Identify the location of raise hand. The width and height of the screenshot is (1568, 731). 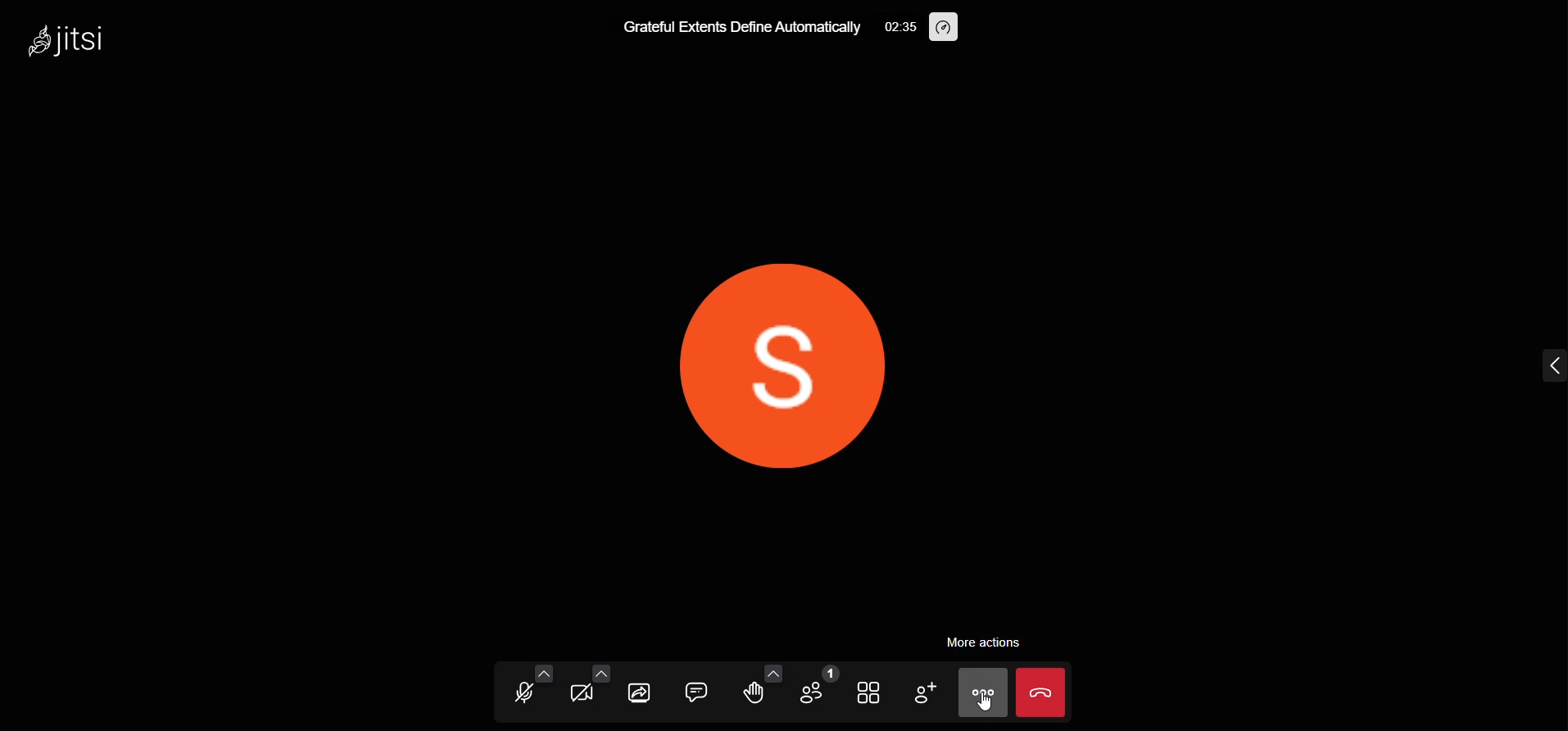
(755, 694).